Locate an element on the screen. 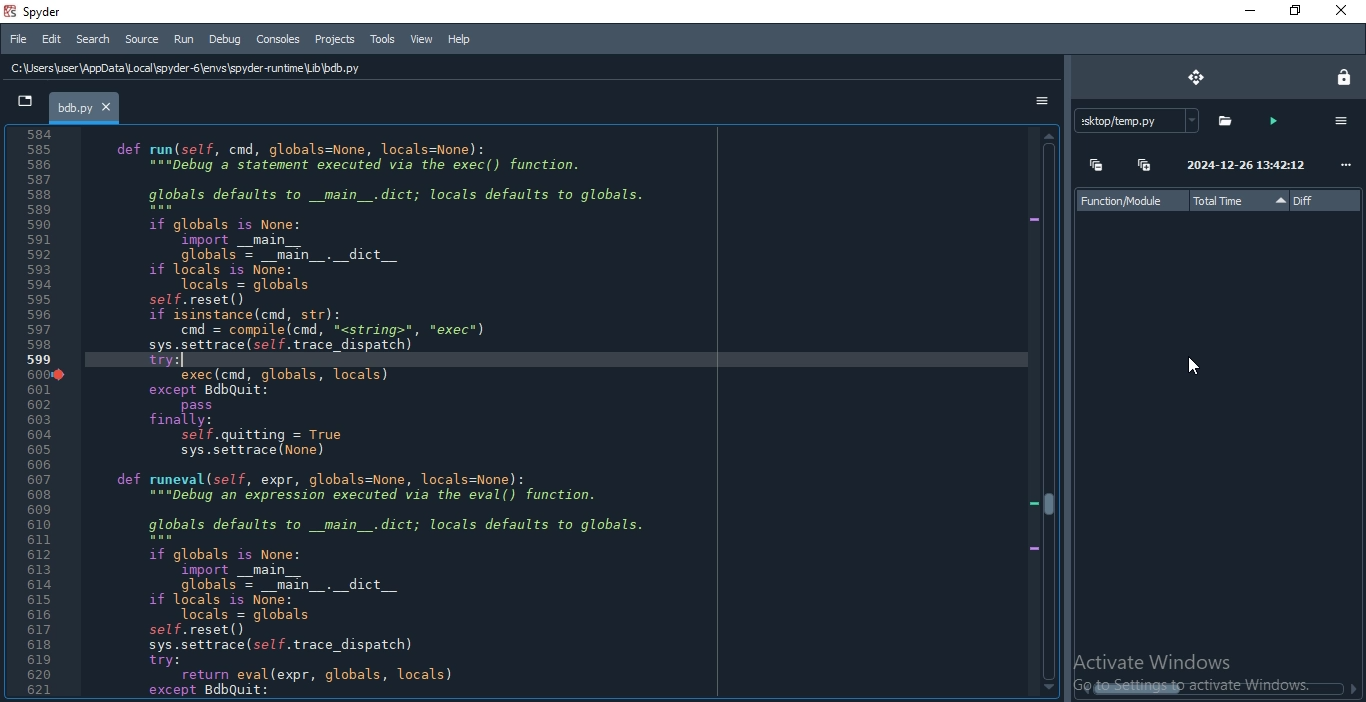 This screenshot has width=1366, height=702. Edit is located at coordinates (51, 38).